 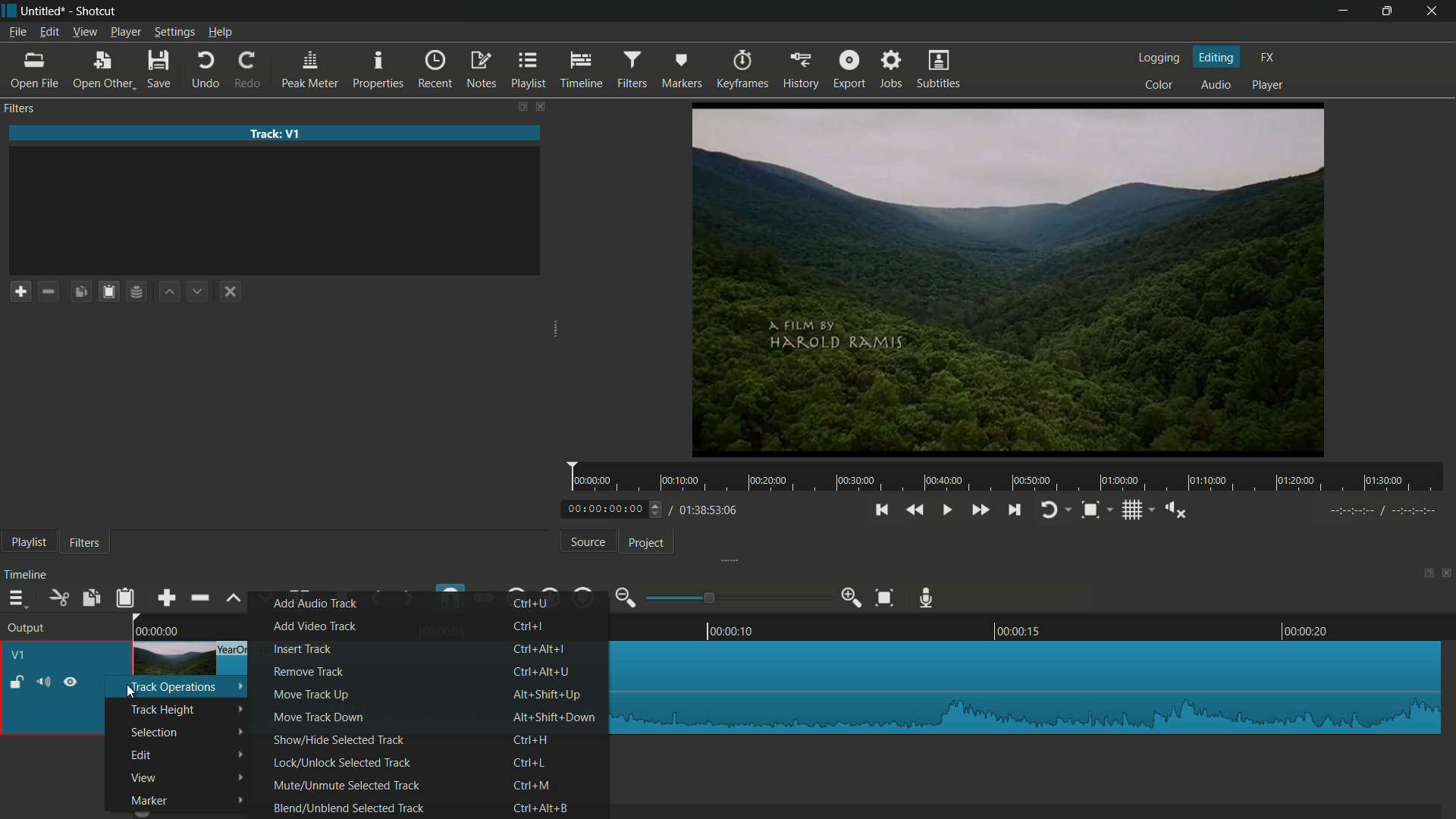 What do you see at coordinates (940, 71) in the screenshot?
I see `subtitles` at bounding box center [940, 71].